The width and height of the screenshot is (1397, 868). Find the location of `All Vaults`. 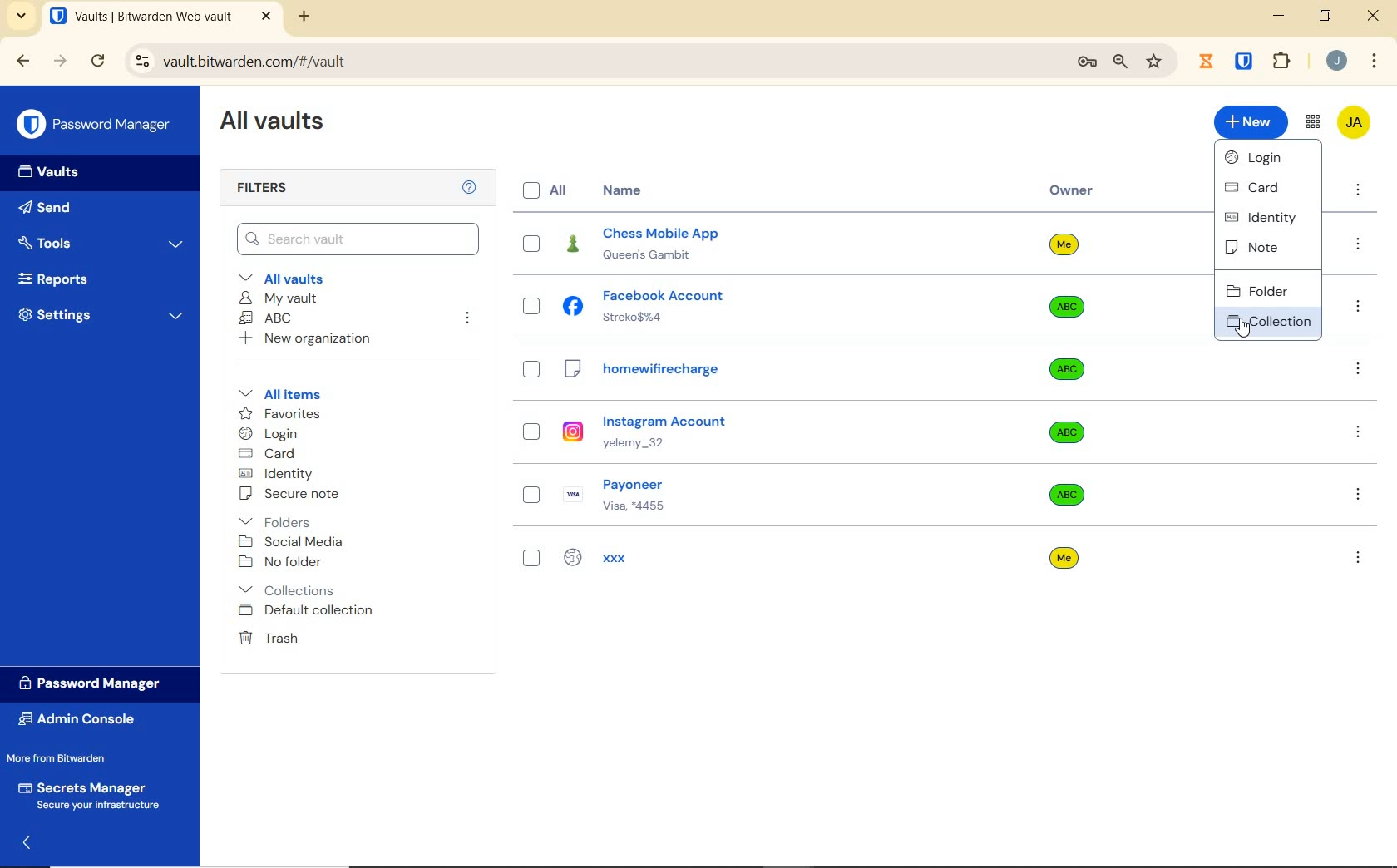

All Vaults is located at coordinates (277, 121).